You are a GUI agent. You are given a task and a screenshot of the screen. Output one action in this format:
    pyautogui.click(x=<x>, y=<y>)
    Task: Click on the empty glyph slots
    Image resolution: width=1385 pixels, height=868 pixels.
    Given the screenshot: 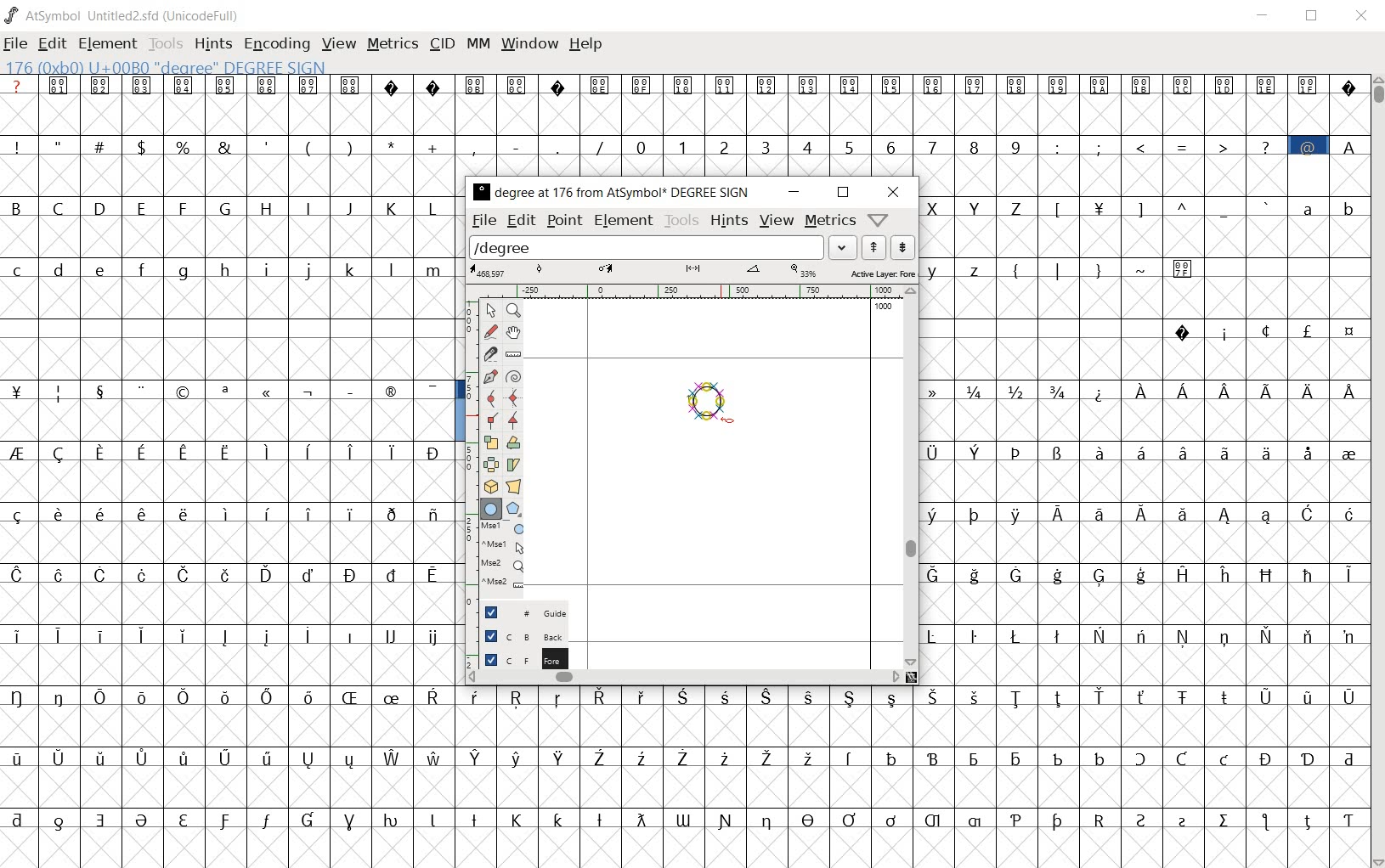 What is the action you would take?
    pyautogui.click(x=227, y=302)
    